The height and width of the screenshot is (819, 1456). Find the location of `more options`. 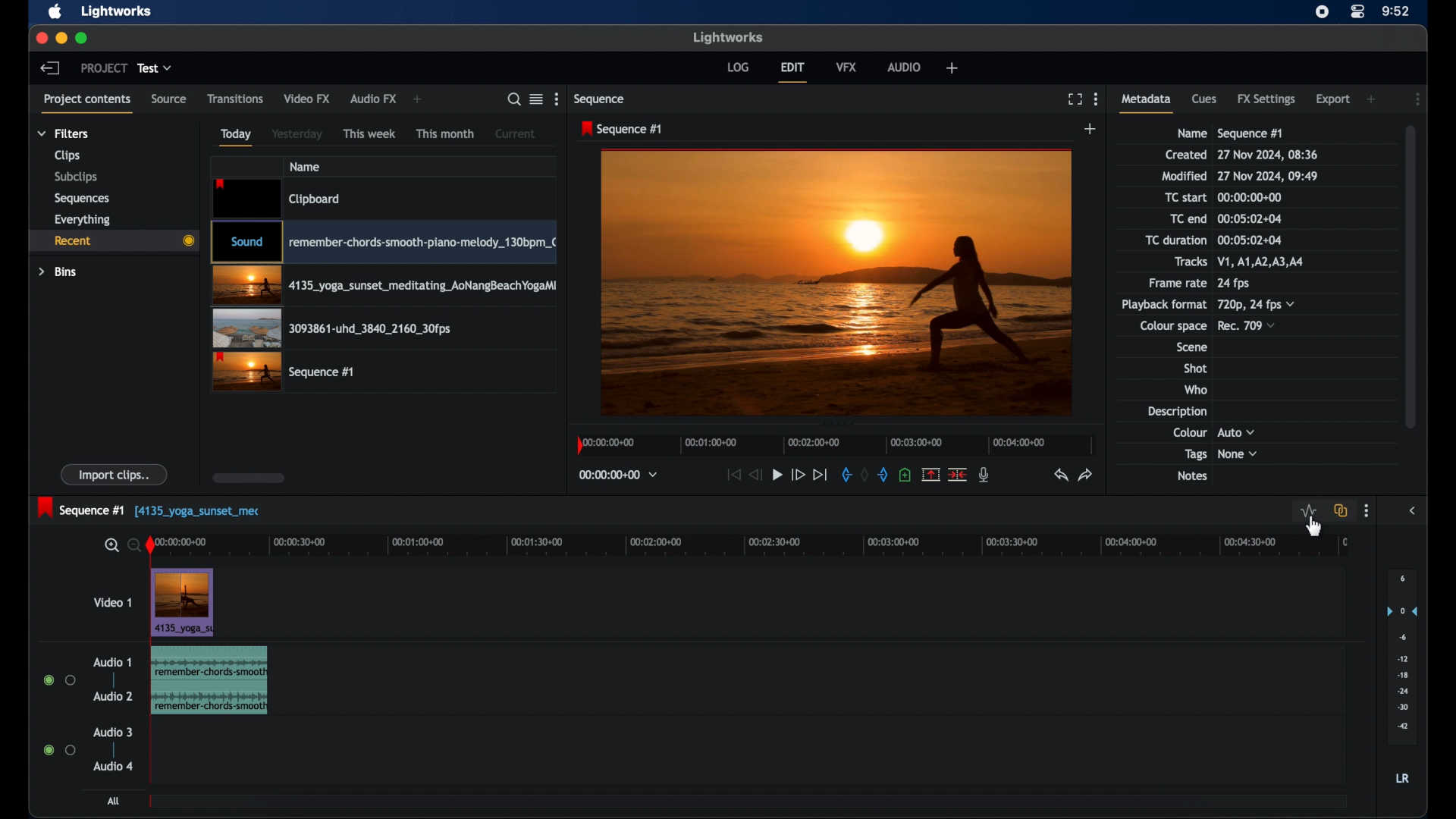

more options is located at coordinates (1097, 99).